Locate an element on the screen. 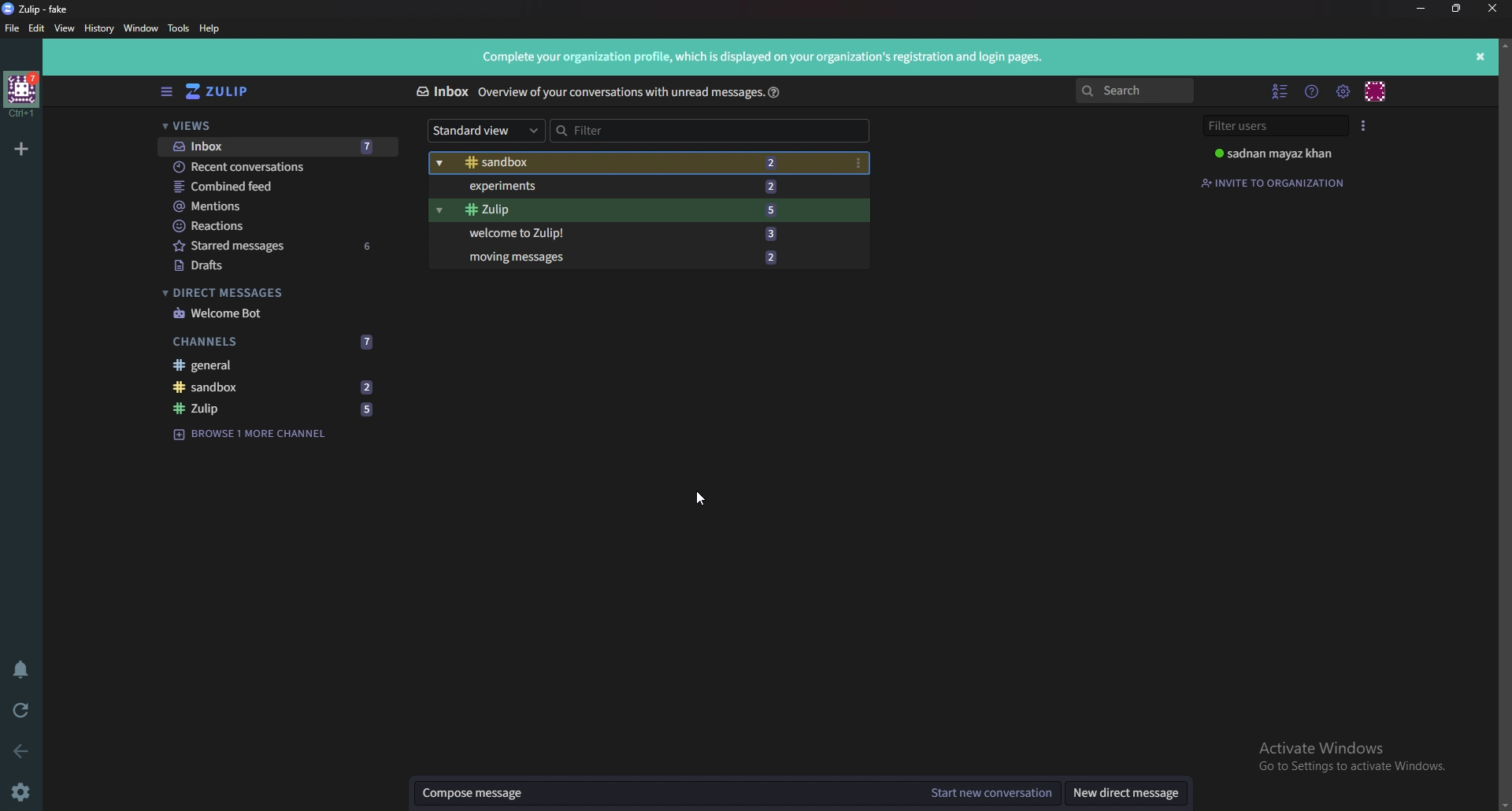  Sandbox is located at coordinates (626, 163).